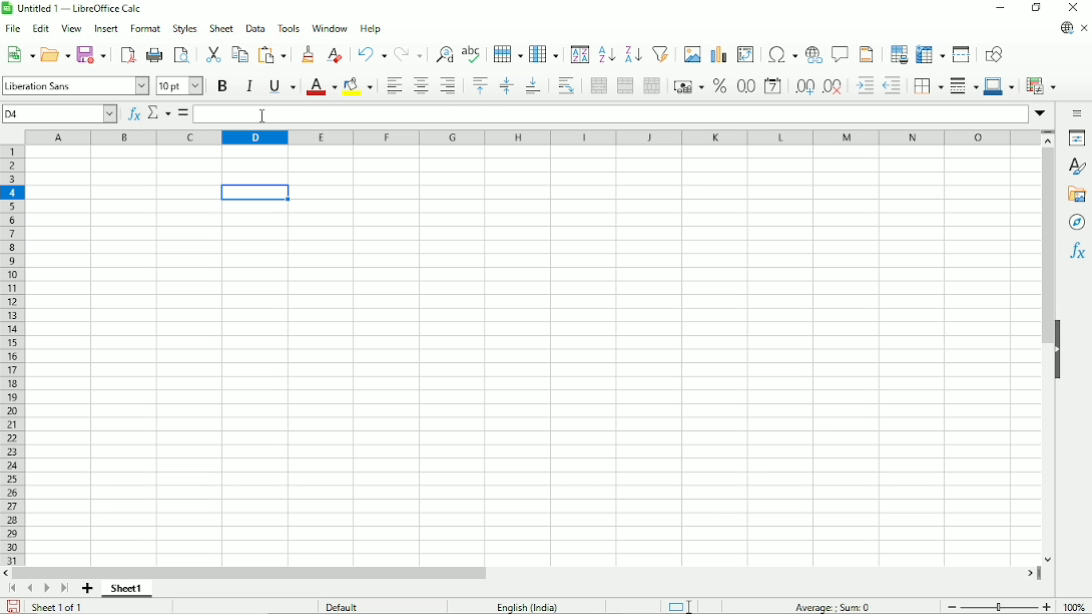 The width and height of the screenshot is (1092, 614). I want to click on Select function, so click(160, 114).